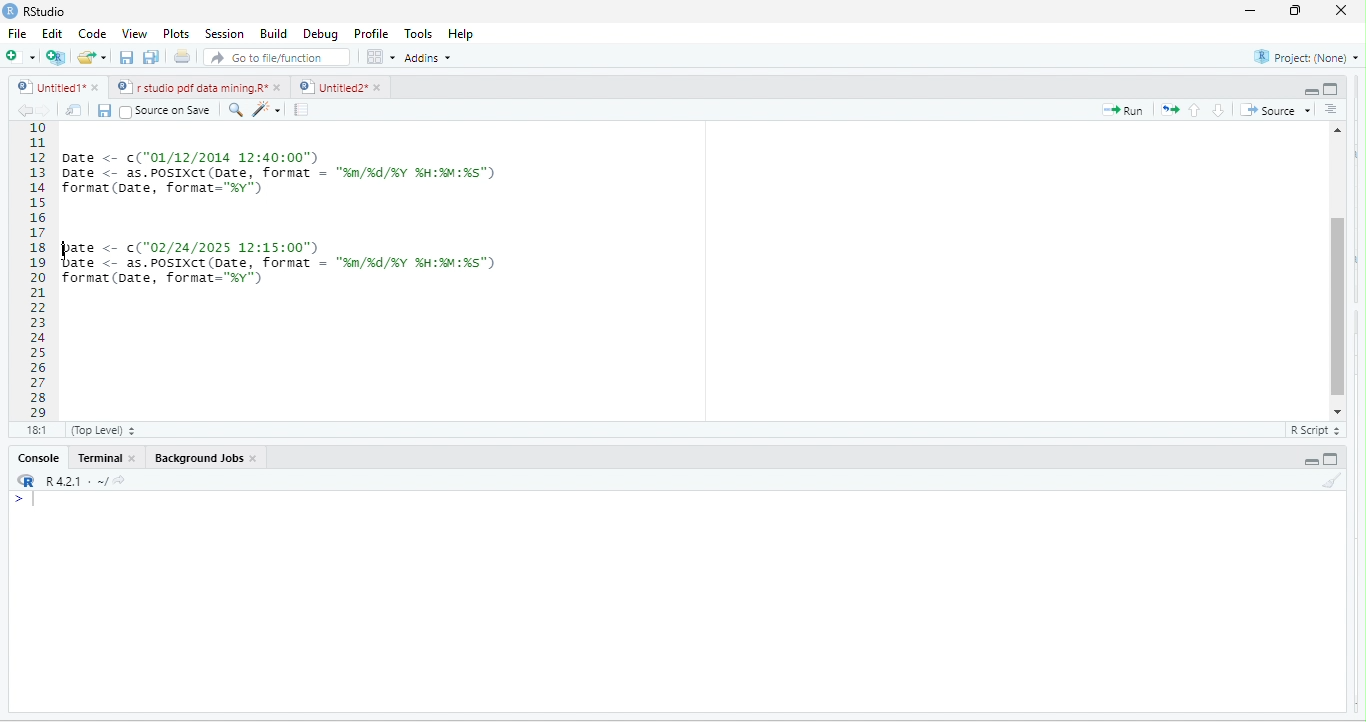 This screenshot has width=1366, height=722. Describe the element at coordinates (134, 33) in the screenshot. I see `View` at that location.